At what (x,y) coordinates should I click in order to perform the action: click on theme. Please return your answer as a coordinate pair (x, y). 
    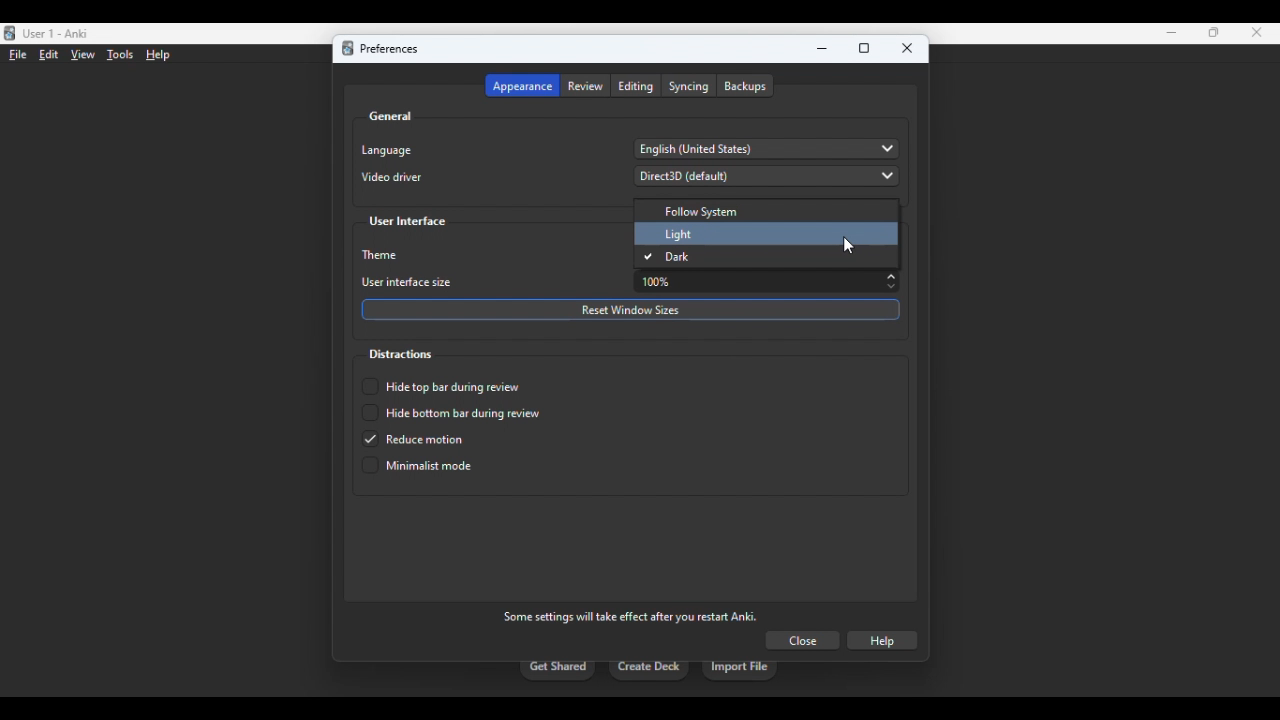
    Looking at the image, I should click on (382, 255).